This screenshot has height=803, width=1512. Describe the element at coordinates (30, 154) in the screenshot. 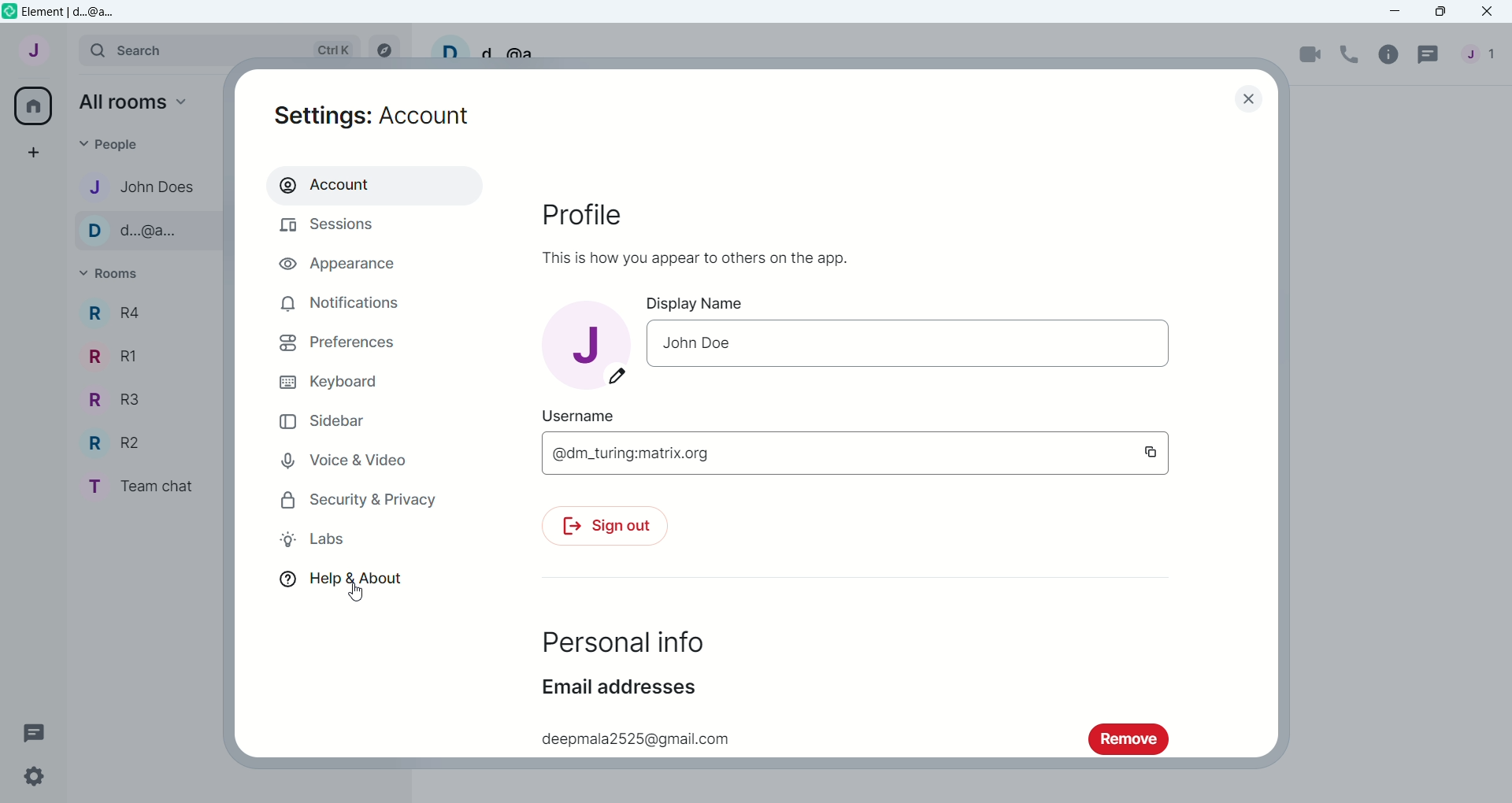

I see `Create a space` at that location.